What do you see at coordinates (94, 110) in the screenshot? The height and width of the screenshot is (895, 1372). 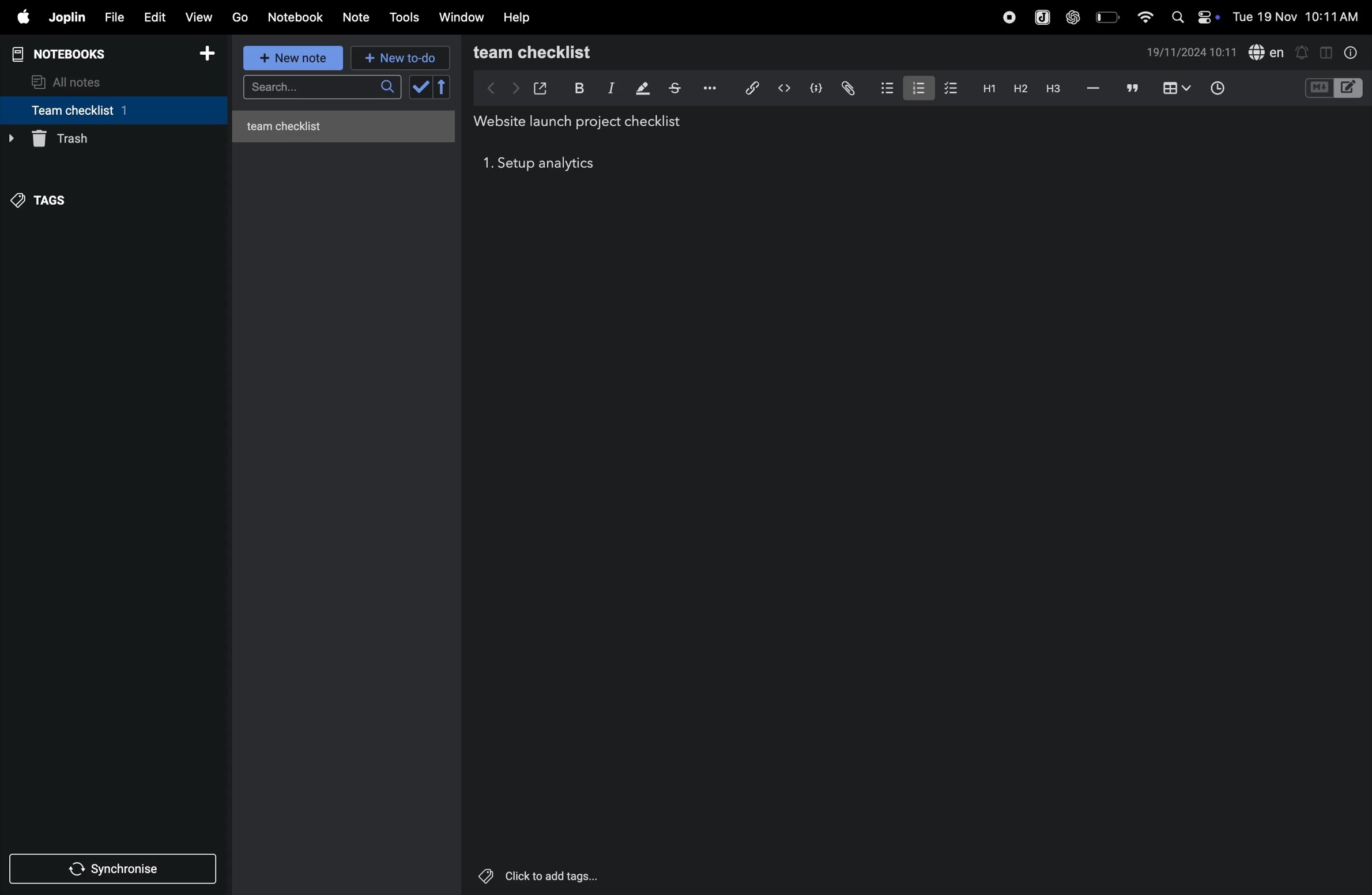 I see `team checklist` at bounding box center [94, 110].